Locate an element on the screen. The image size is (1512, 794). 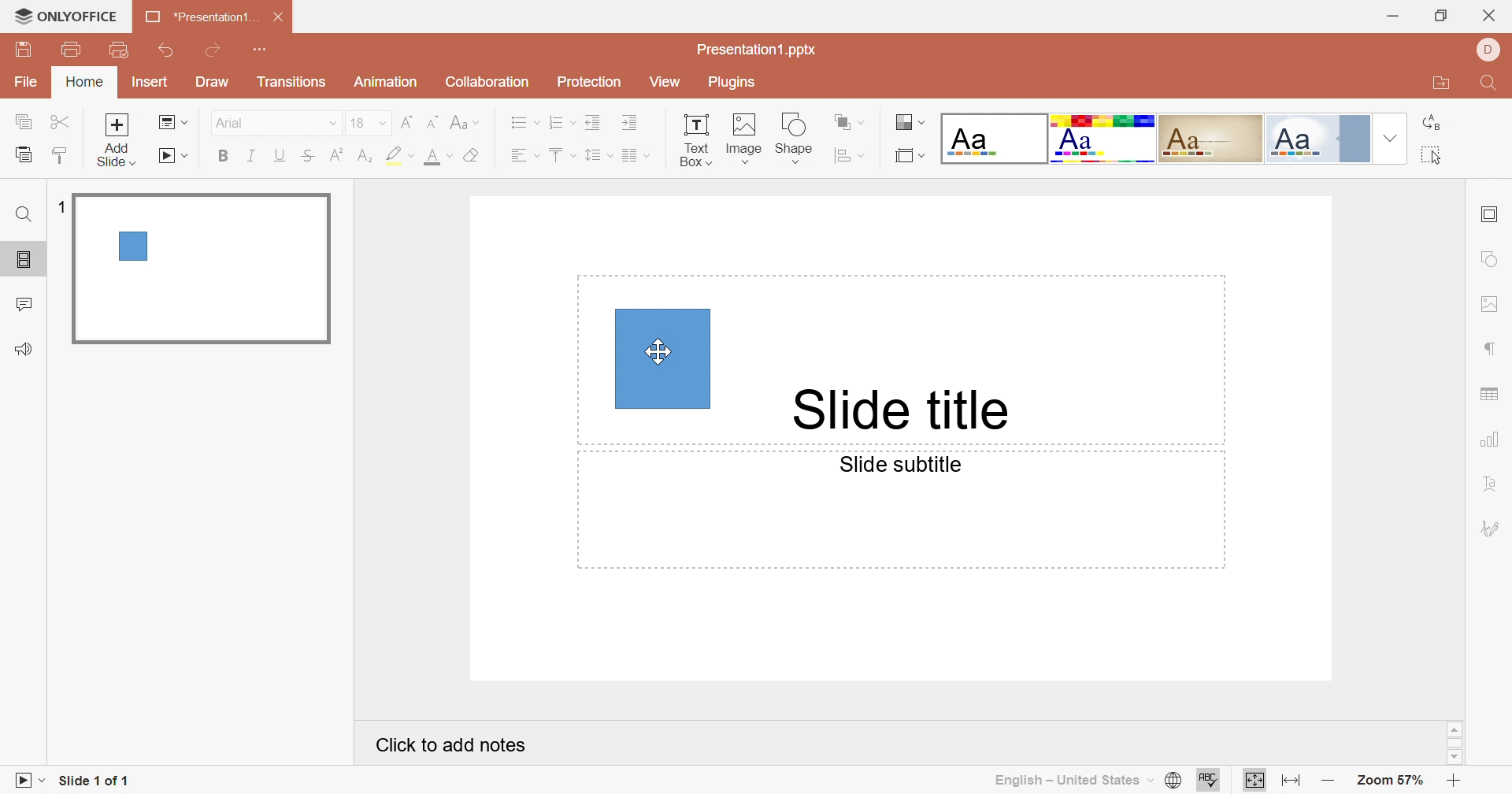
Paragraph settings is located at coordinates (1494, 351).